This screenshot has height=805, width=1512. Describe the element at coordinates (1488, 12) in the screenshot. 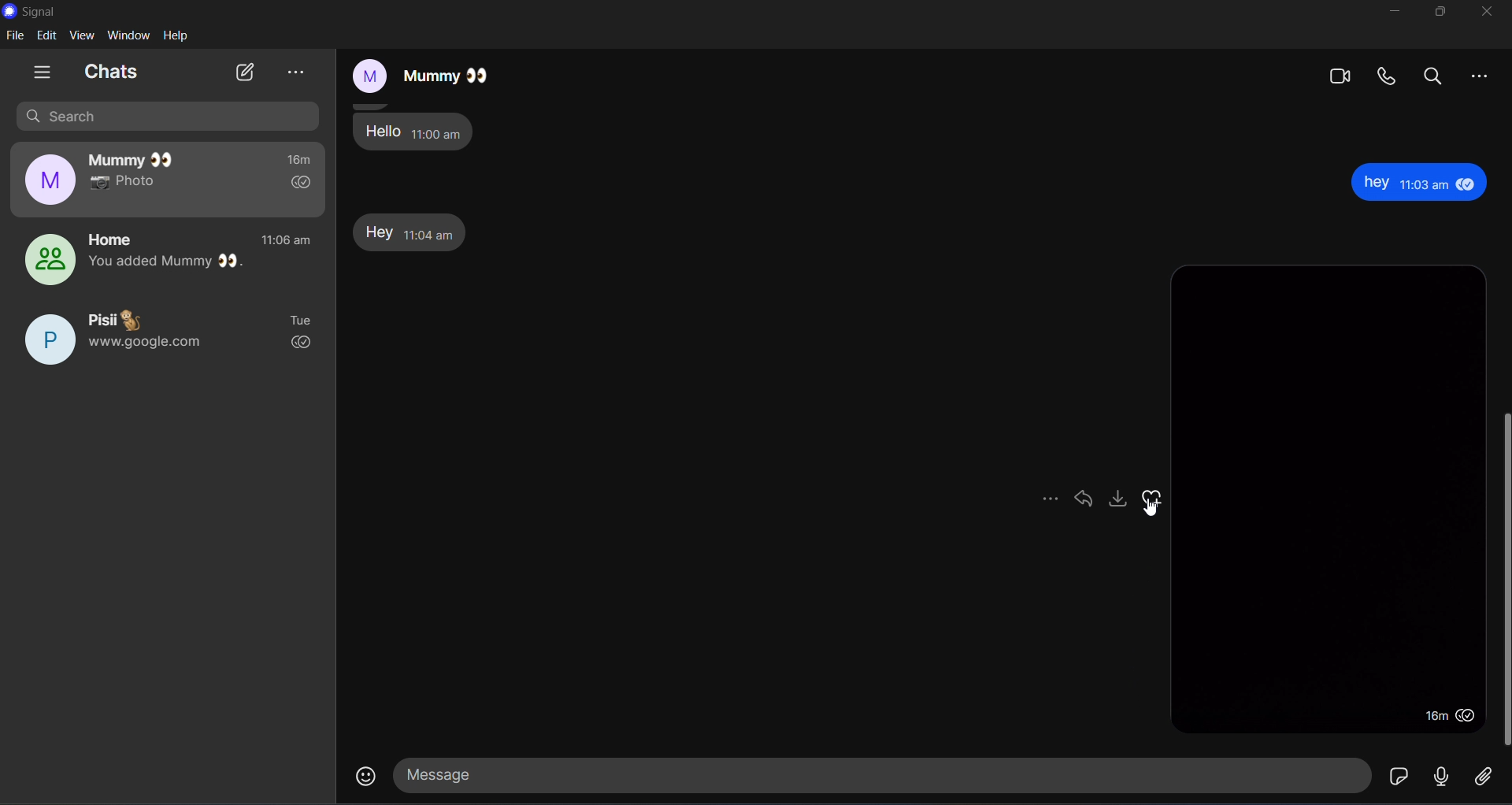

I see `close` at that location.